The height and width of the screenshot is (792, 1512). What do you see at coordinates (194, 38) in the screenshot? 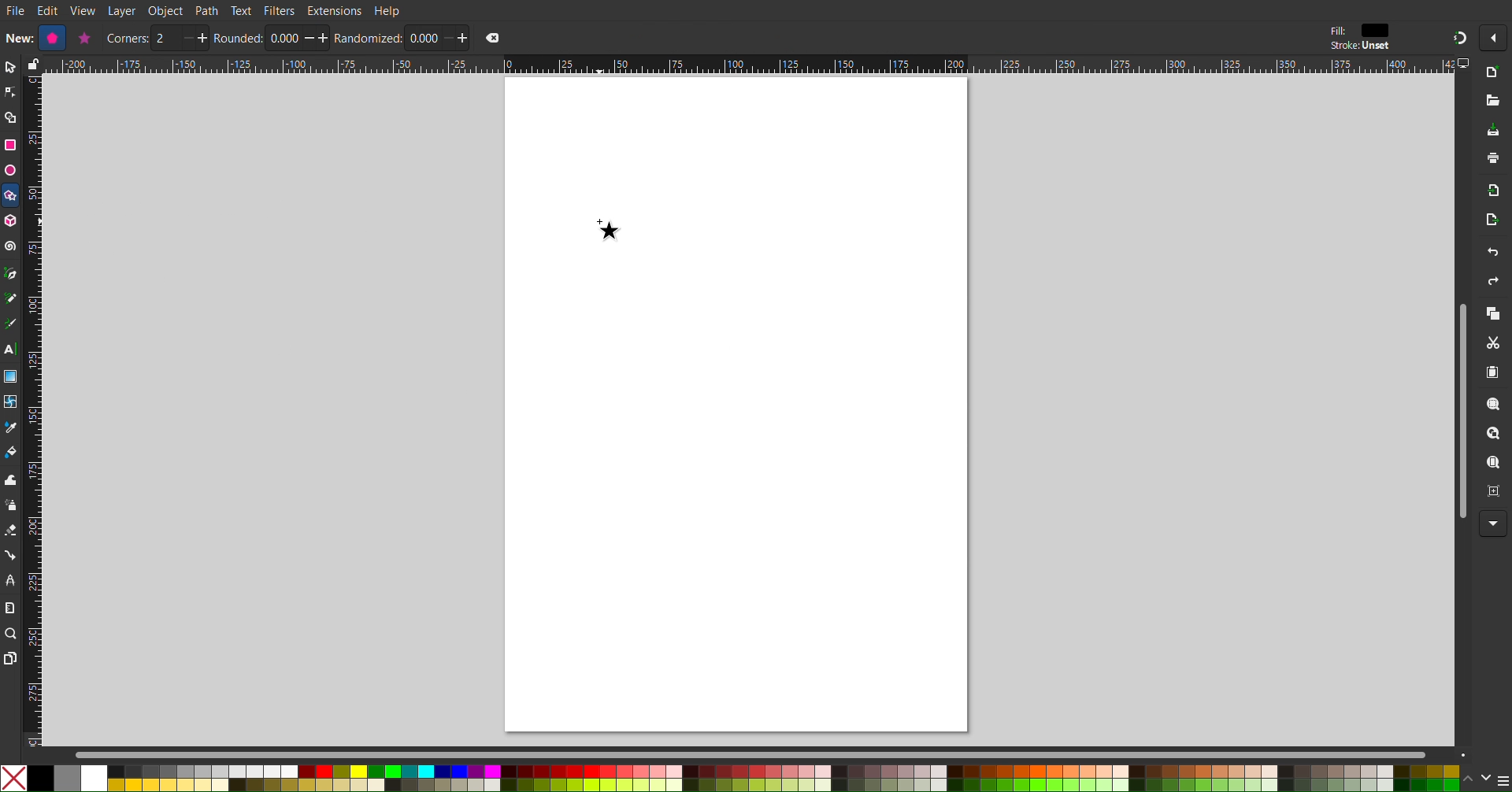
I see `increase/decrease` at bounding box center [194, 38].